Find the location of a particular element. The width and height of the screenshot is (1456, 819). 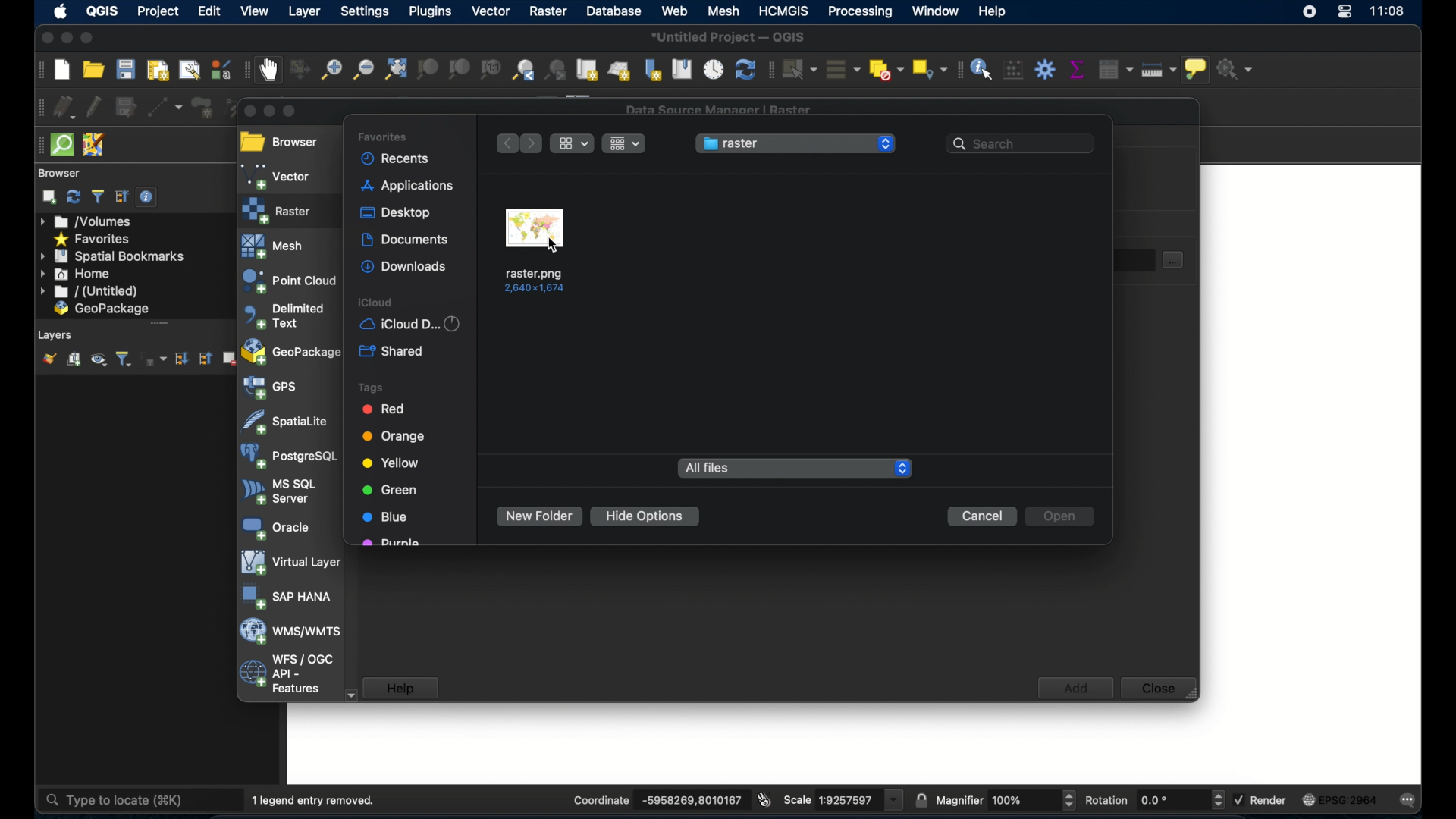

zoom next is located at coordinates (557, 69).